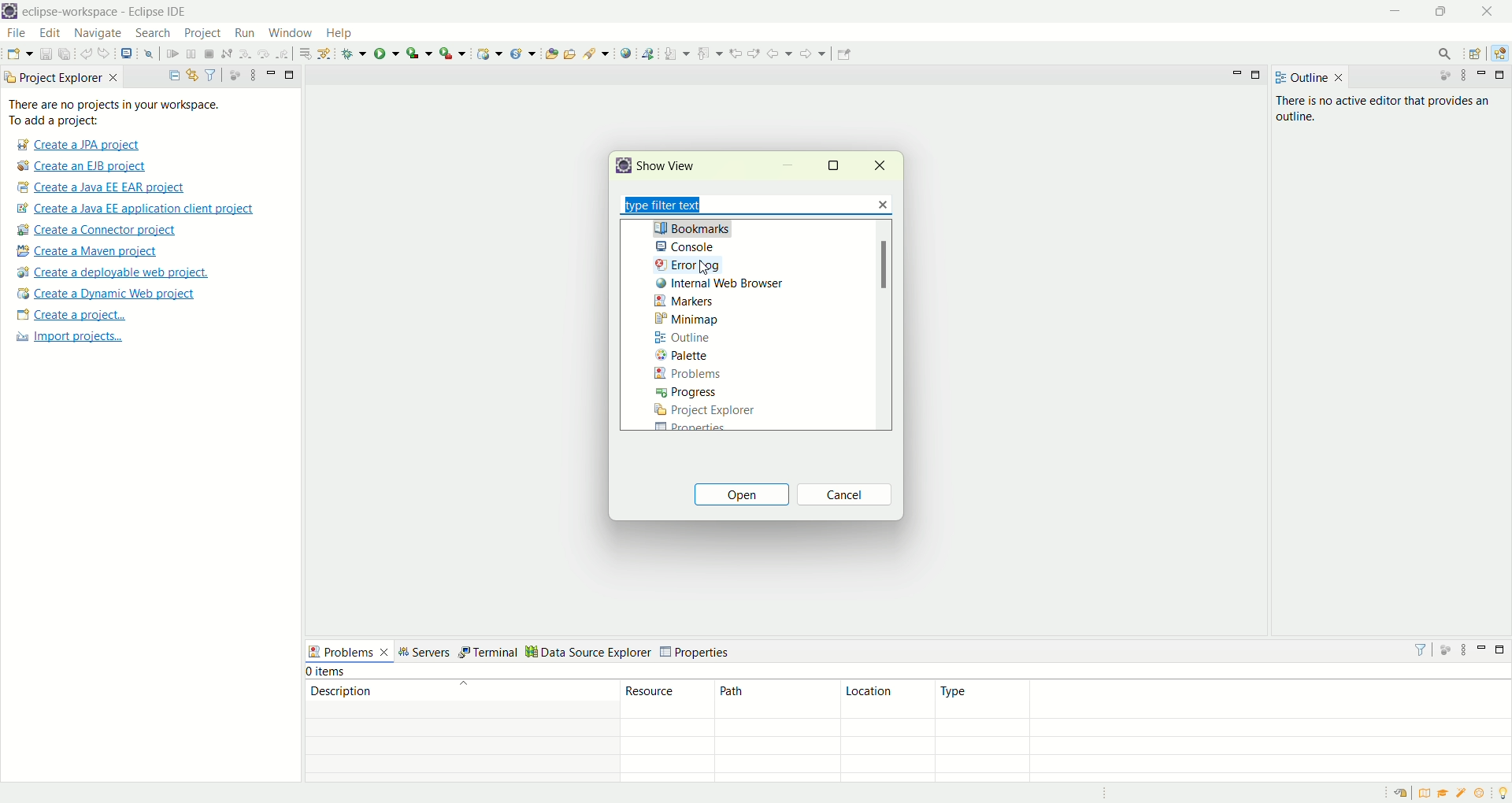 This screenshot has height=803, width=1512. What do you see at coordinates (489, 53) in the screenshot?
I see `create a dynamic web project` at bounding box center [489, 53].